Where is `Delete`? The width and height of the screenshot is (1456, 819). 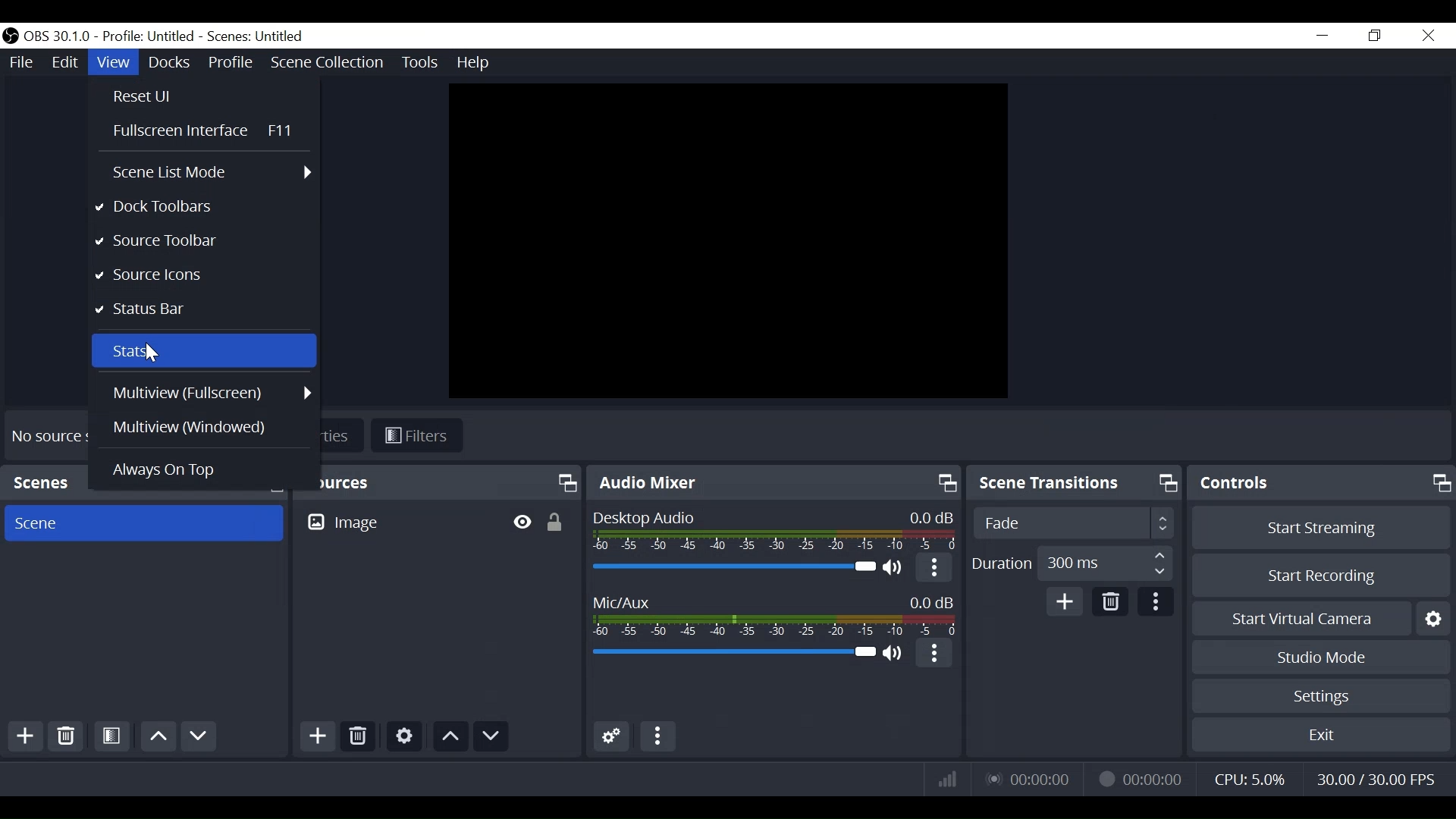 Delete is located at coordinates (1109, 602).